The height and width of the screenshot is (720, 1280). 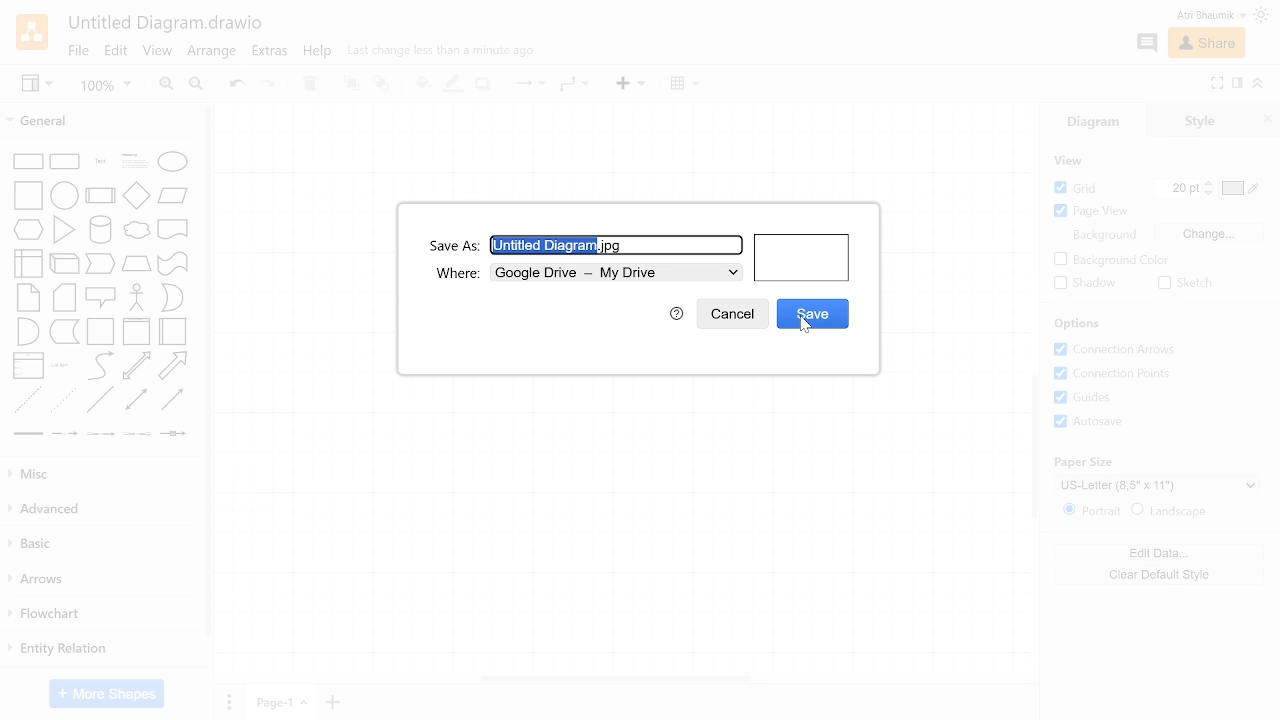 I want to click on Save as, so click(x=617, y=244).